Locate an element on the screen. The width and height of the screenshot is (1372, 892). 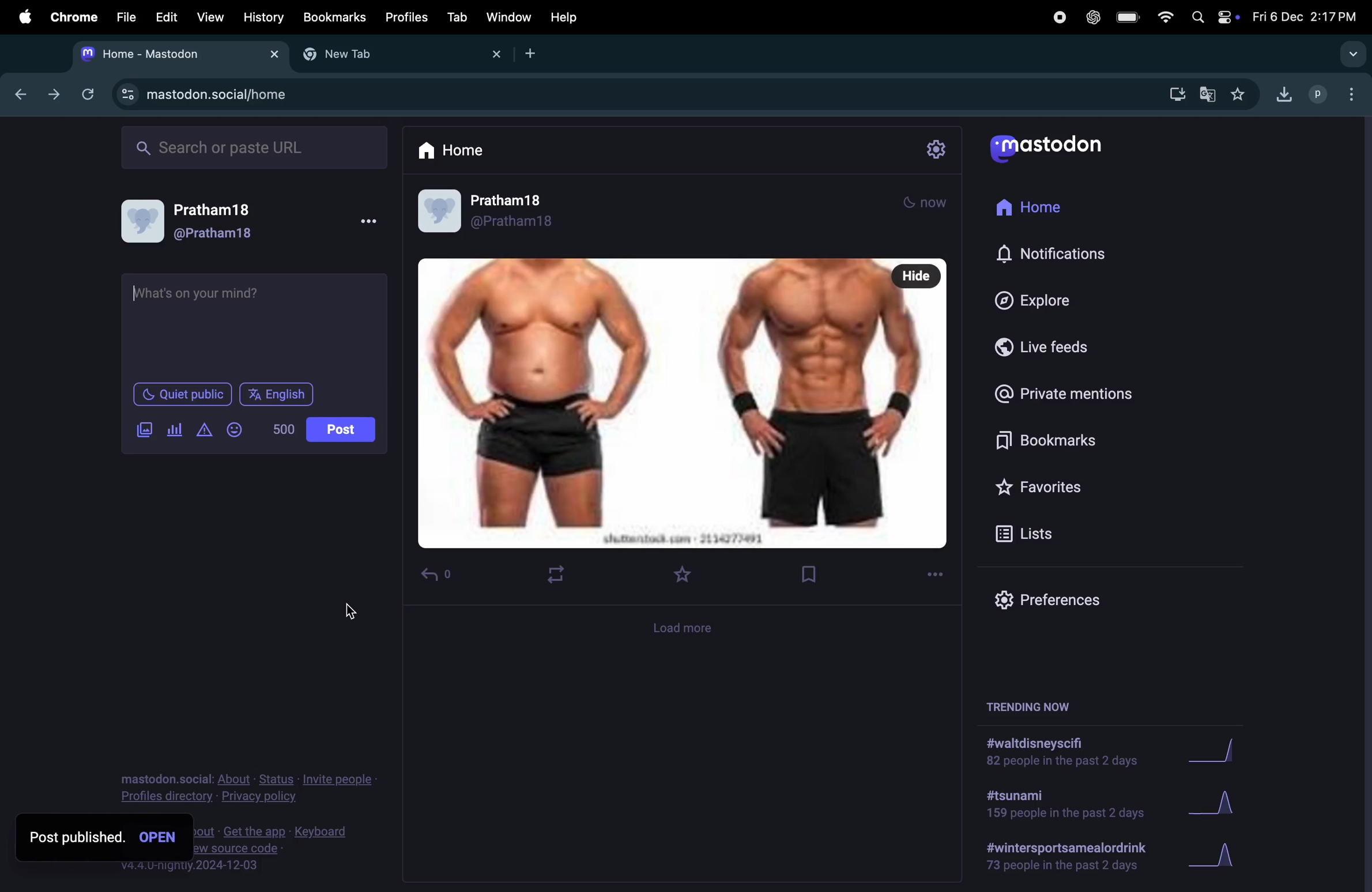
English is located at coordinates (276, 394).